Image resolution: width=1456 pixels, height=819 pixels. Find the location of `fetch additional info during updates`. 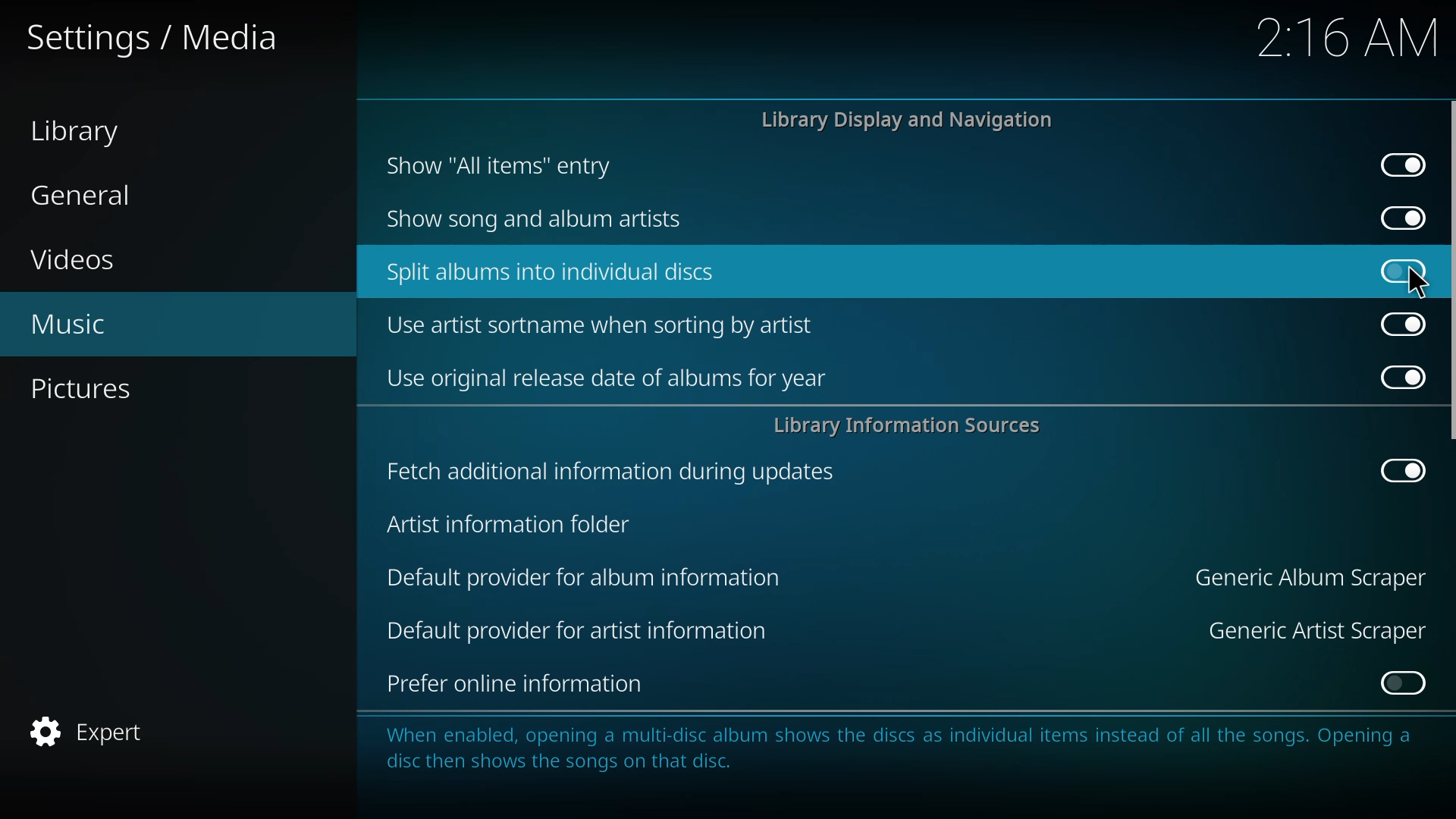

fetch additional info during updates is located at coordinates (607, 471).